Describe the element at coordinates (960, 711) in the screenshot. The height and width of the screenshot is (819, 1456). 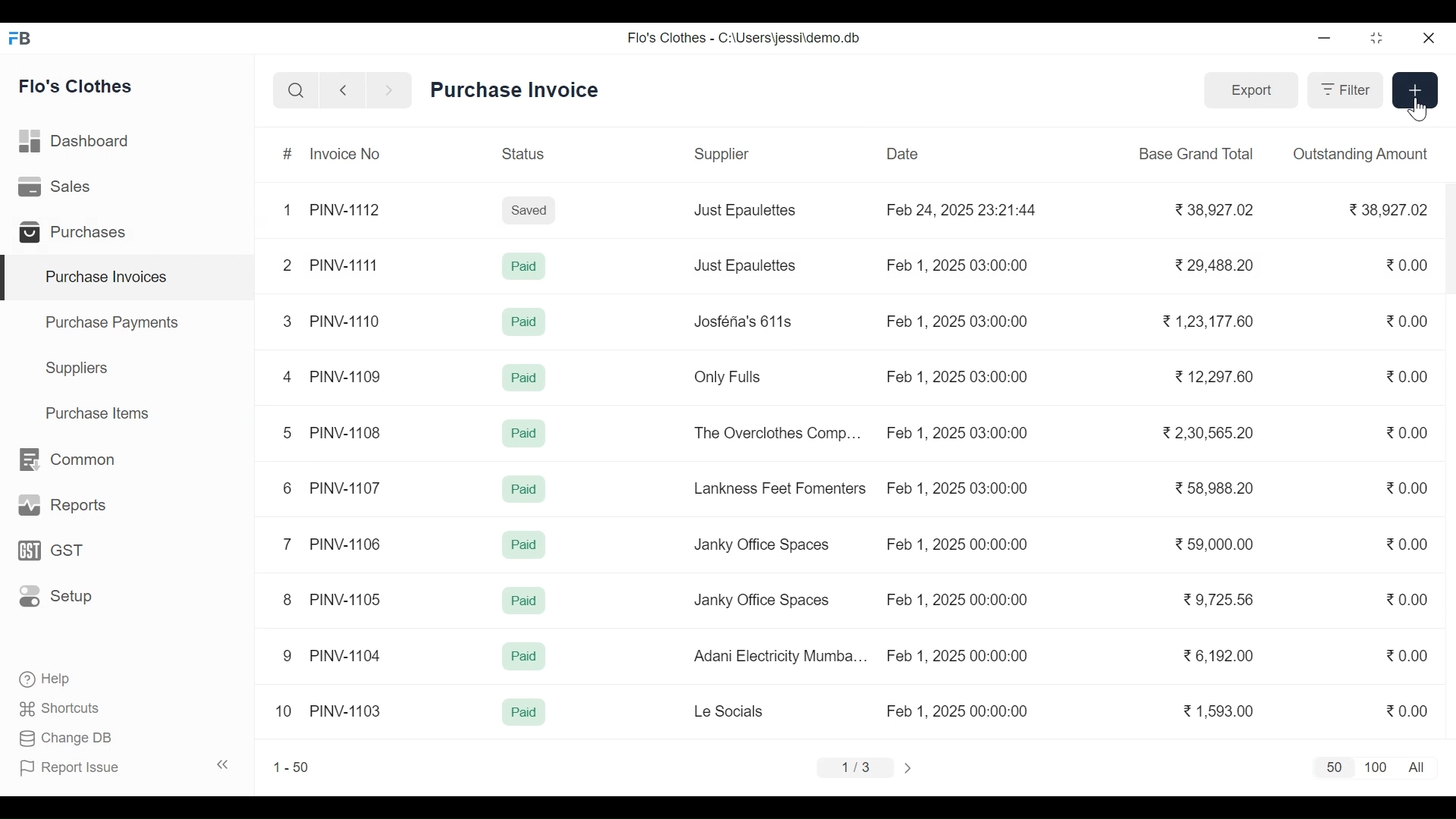
I see `Feb 1, 2025 00:00:00` at that location.